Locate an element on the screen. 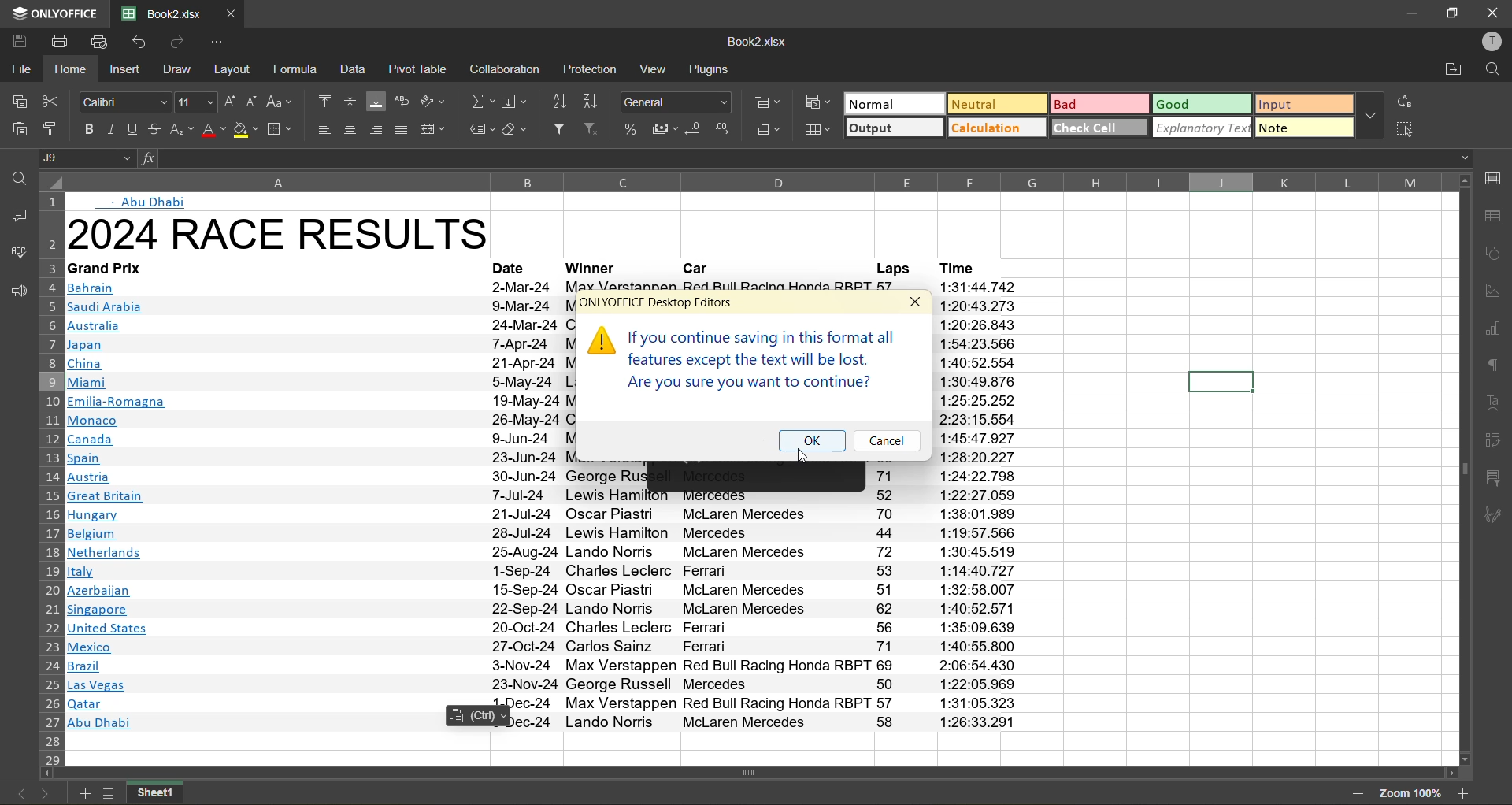 The image size is (1512, 805). insert cells is located at coordinates (769, 102).